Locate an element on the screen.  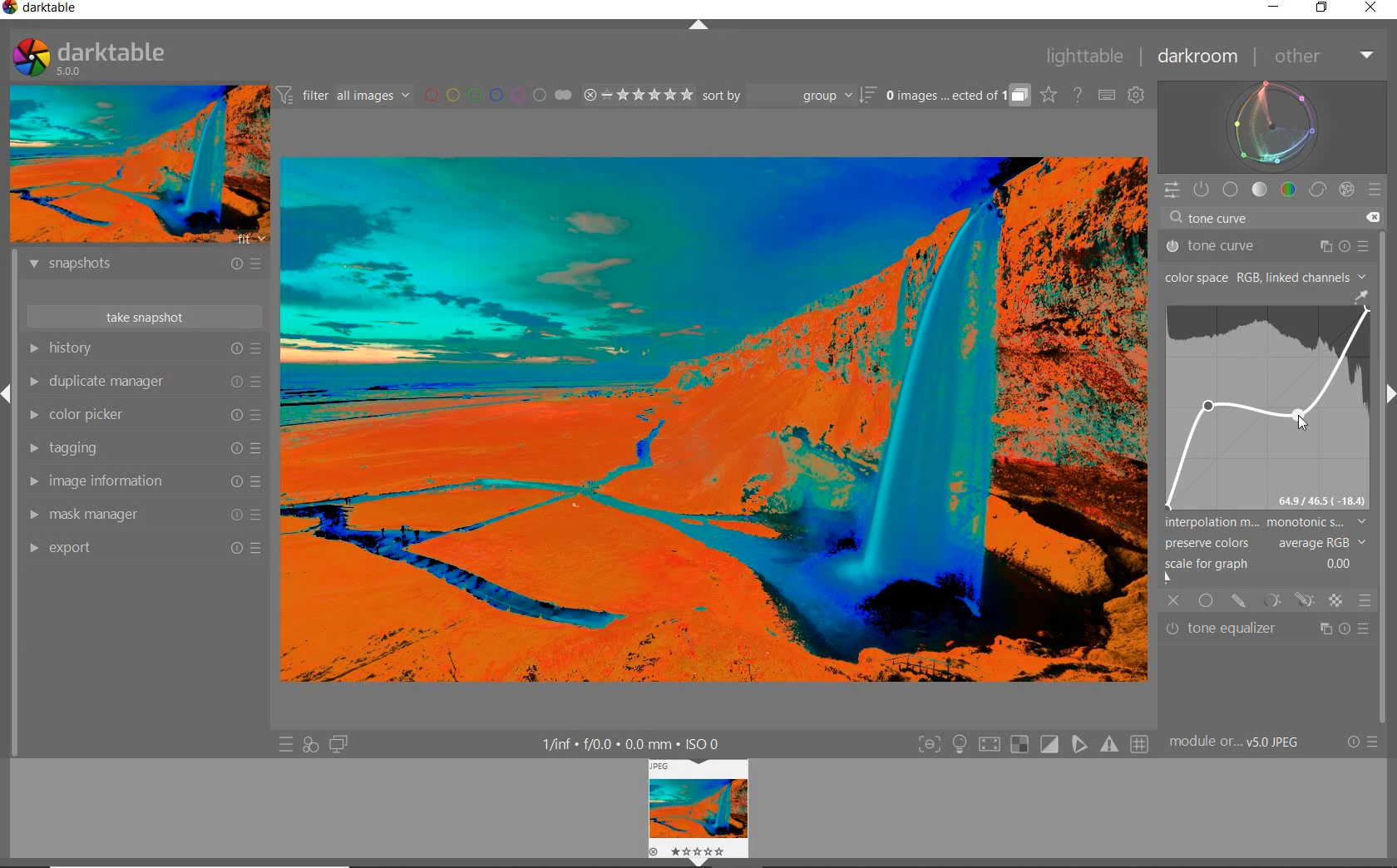
DISPLAYED GUI INFO is located at coordinates (635, 743).